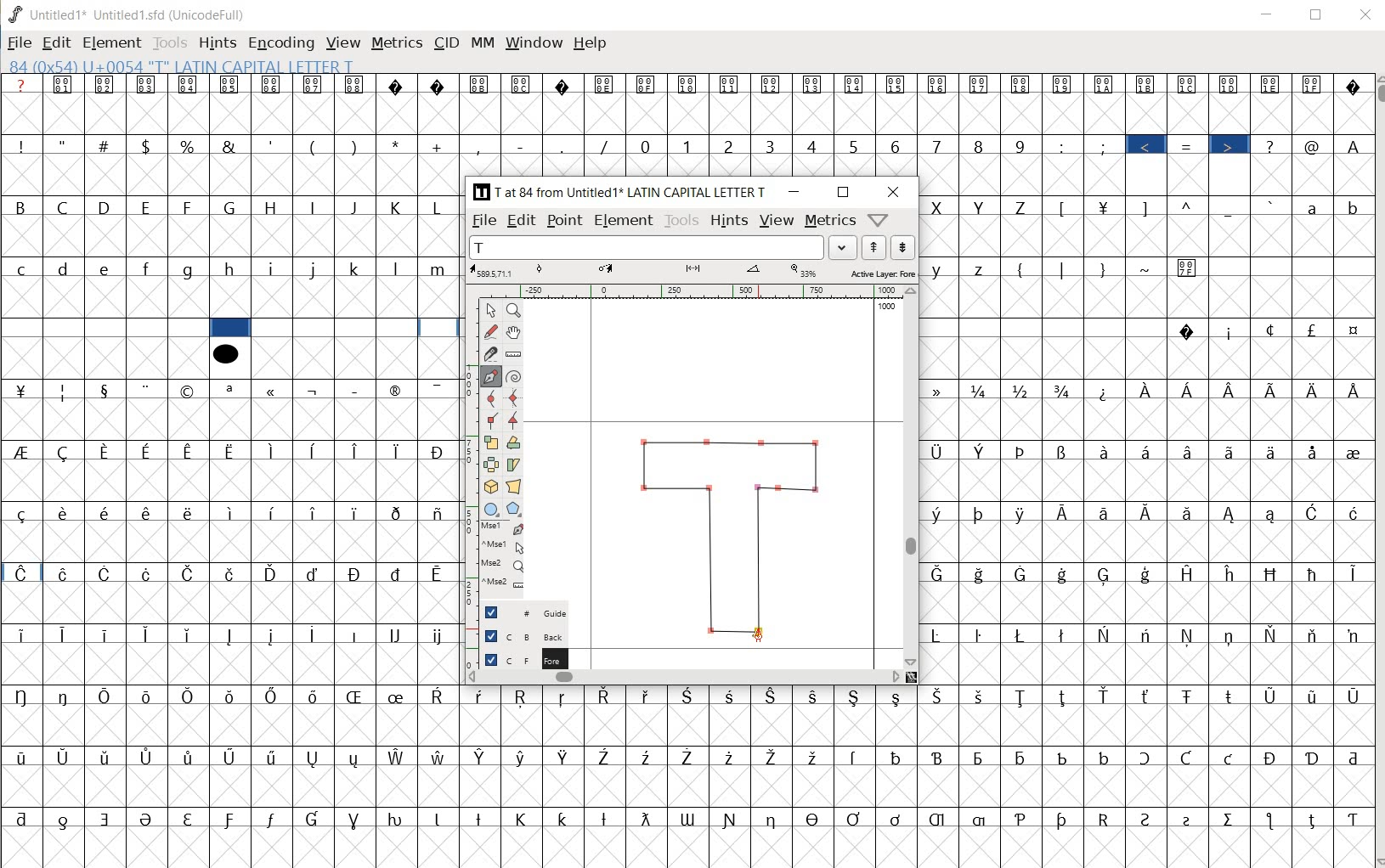 This screenshot has width=1385, height=868. I want to click on Symbol, so click(1270, 330).